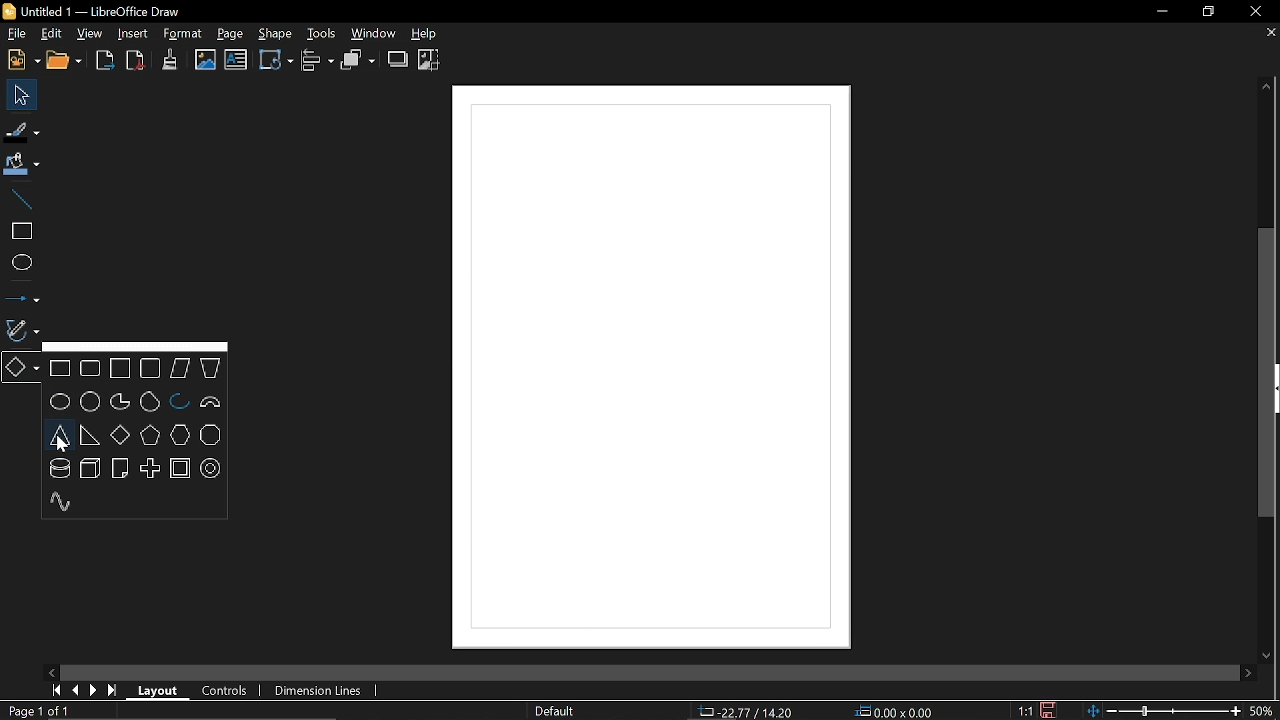  I want to click on Canvas, so click(651, 369).